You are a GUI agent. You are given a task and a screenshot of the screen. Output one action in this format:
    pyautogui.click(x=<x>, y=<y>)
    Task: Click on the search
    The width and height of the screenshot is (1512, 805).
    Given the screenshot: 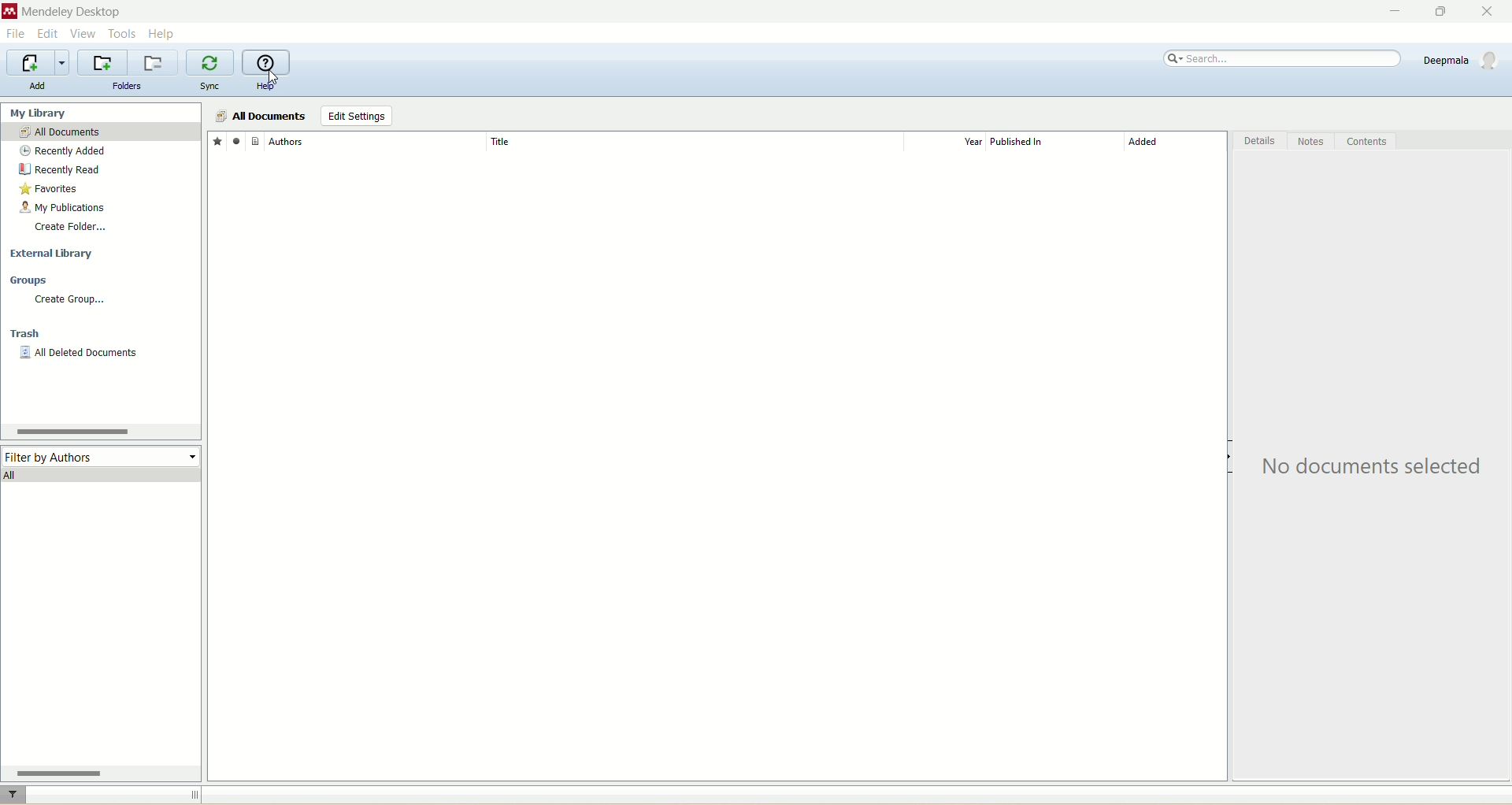 What is the action you would take?
    pyautogui.click(x=1283, y=59)
    